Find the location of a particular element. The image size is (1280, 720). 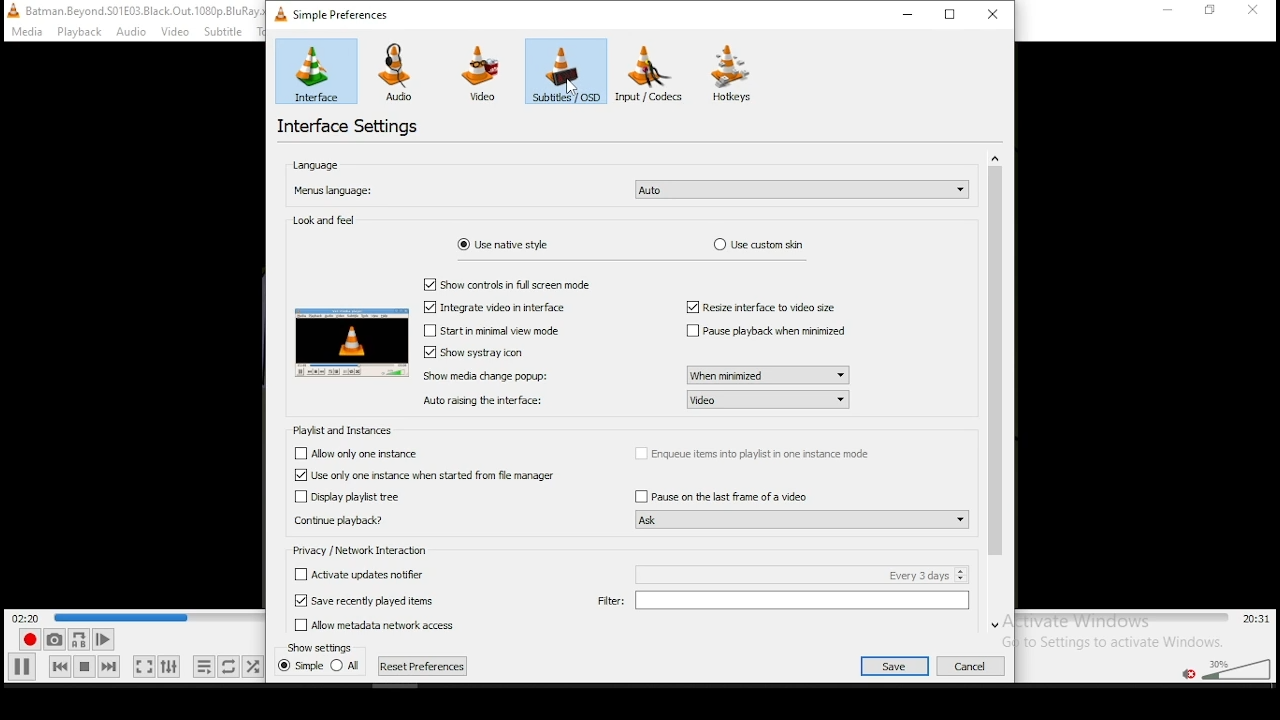

filter: is located at coordinates (782, 600).